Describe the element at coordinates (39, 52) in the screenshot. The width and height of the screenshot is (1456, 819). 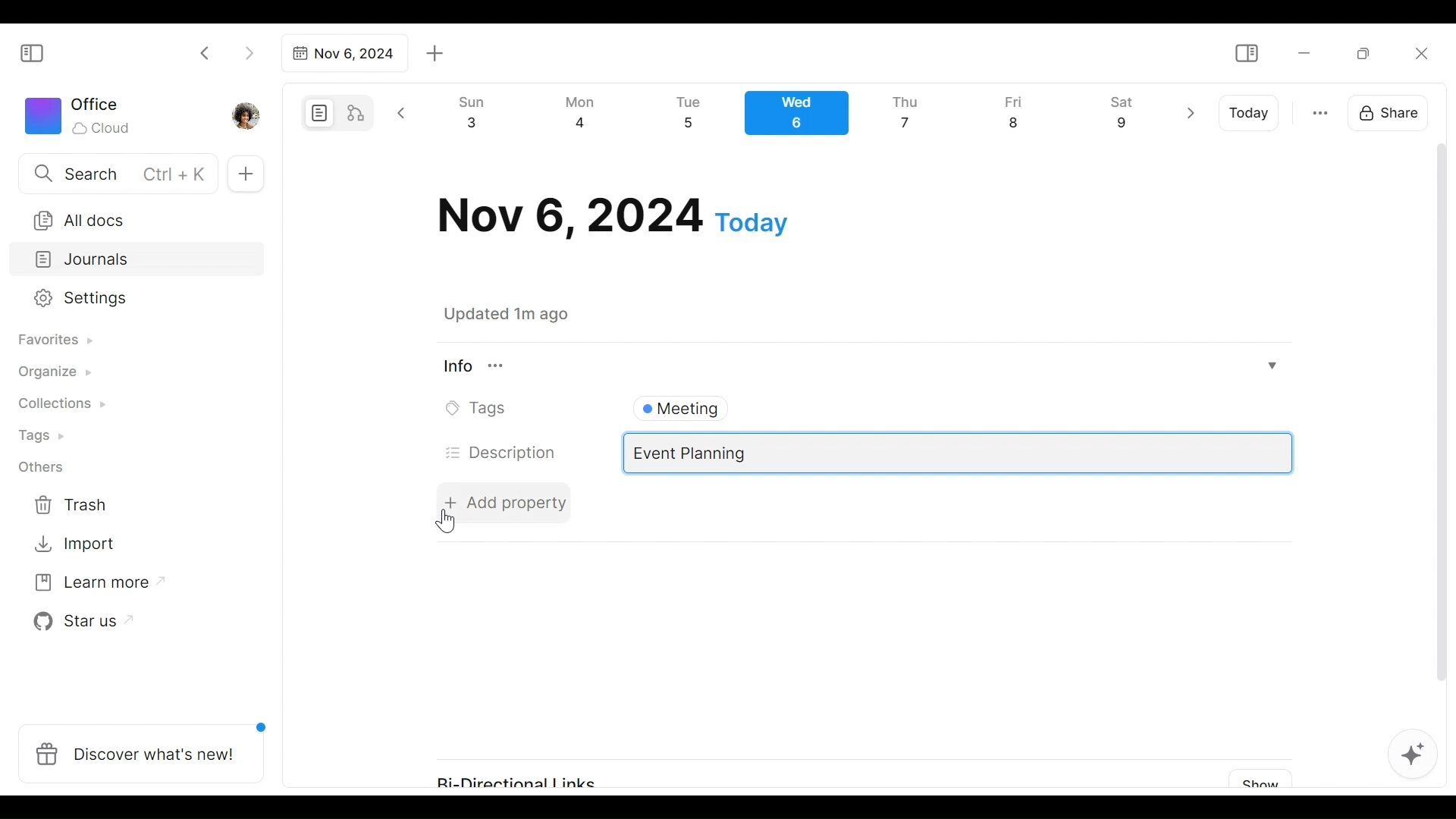
I see `Show/Hide Sidebar` at that location.